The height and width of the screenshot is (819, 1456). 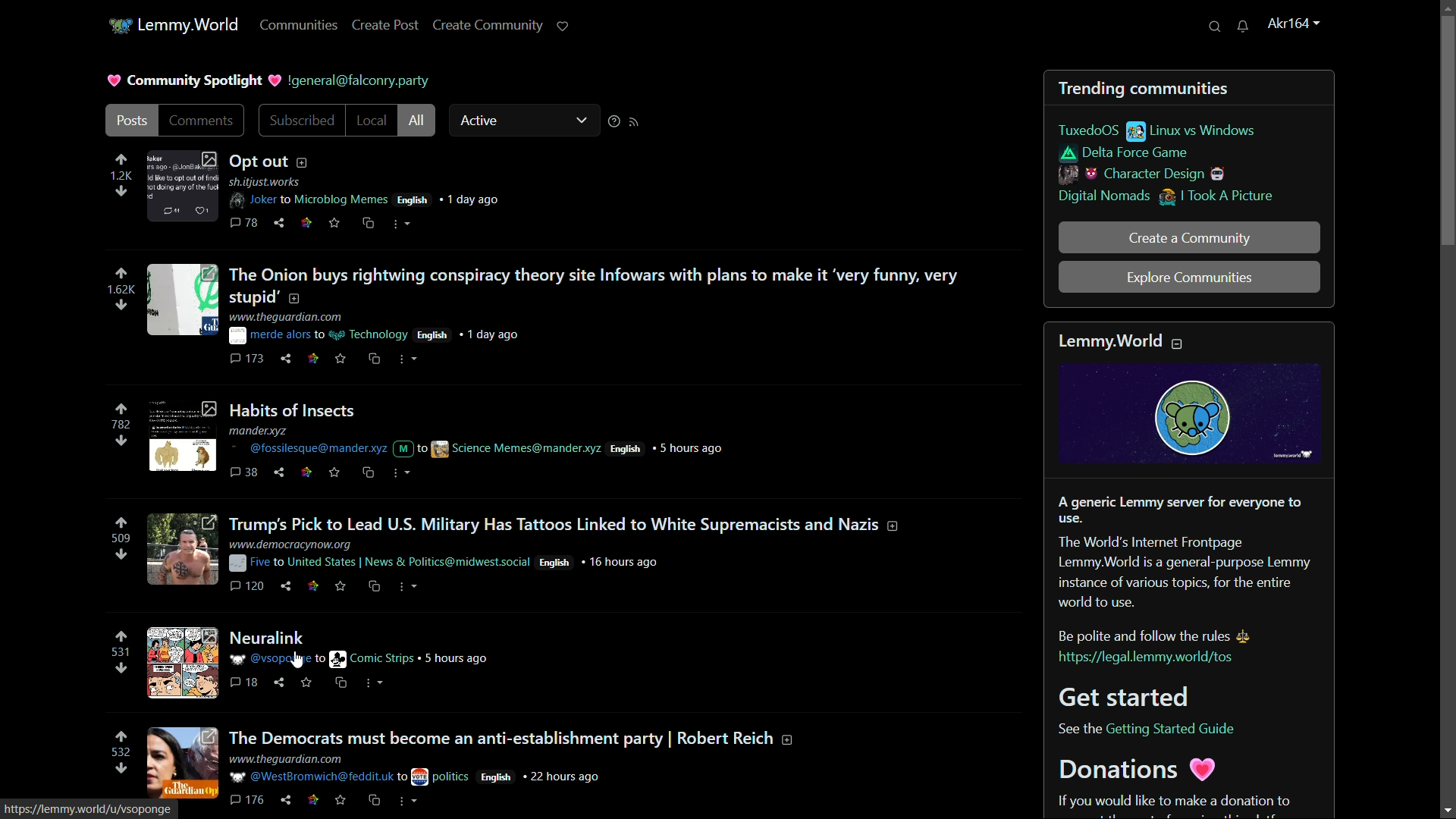 What do you see at coordinates (480, 121) in the screenshot?
I see `active` at bounding box center [480, 121].